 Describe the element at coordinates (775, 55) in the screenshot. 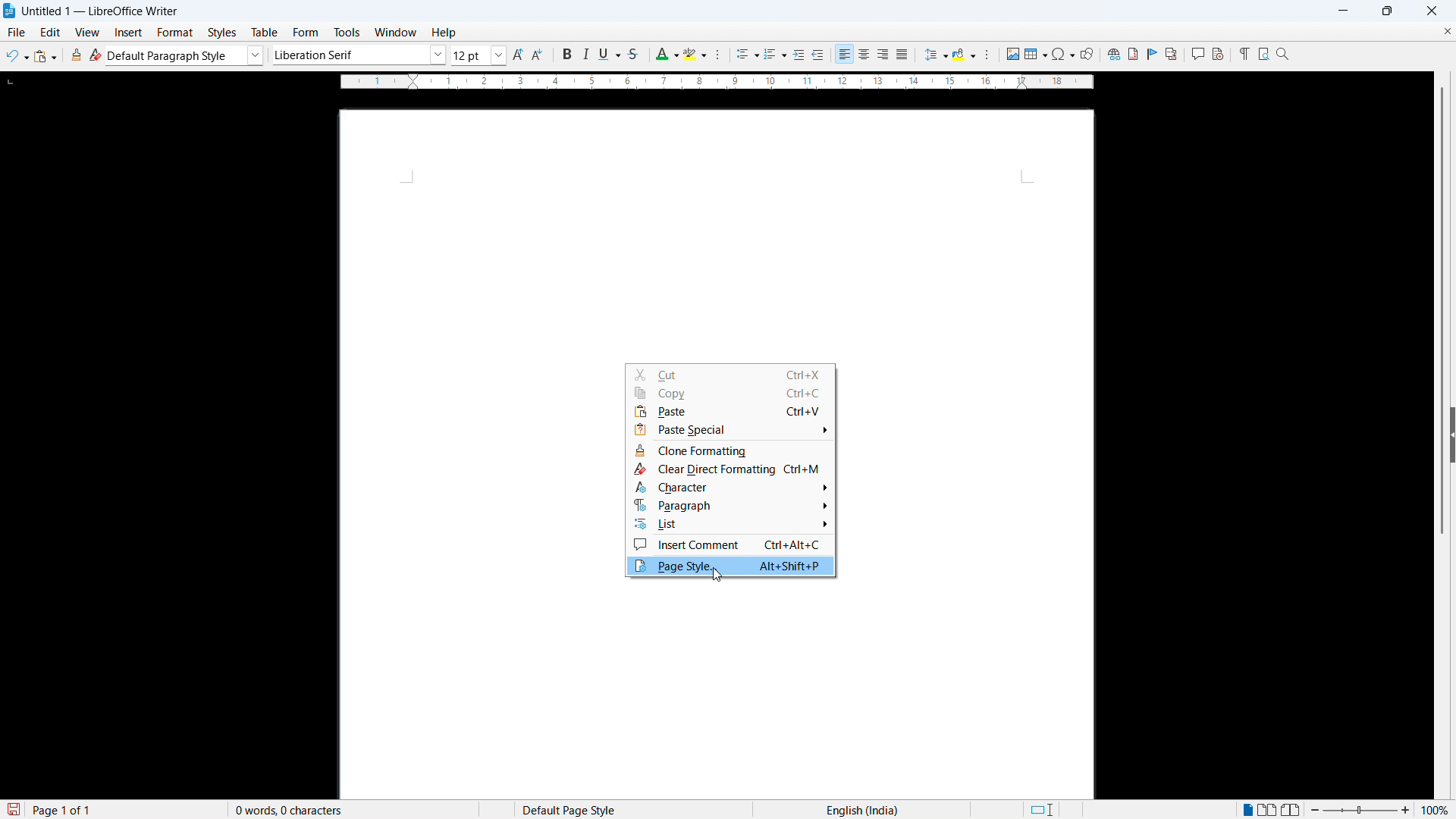

I see `Insert numbered list ` at that location.